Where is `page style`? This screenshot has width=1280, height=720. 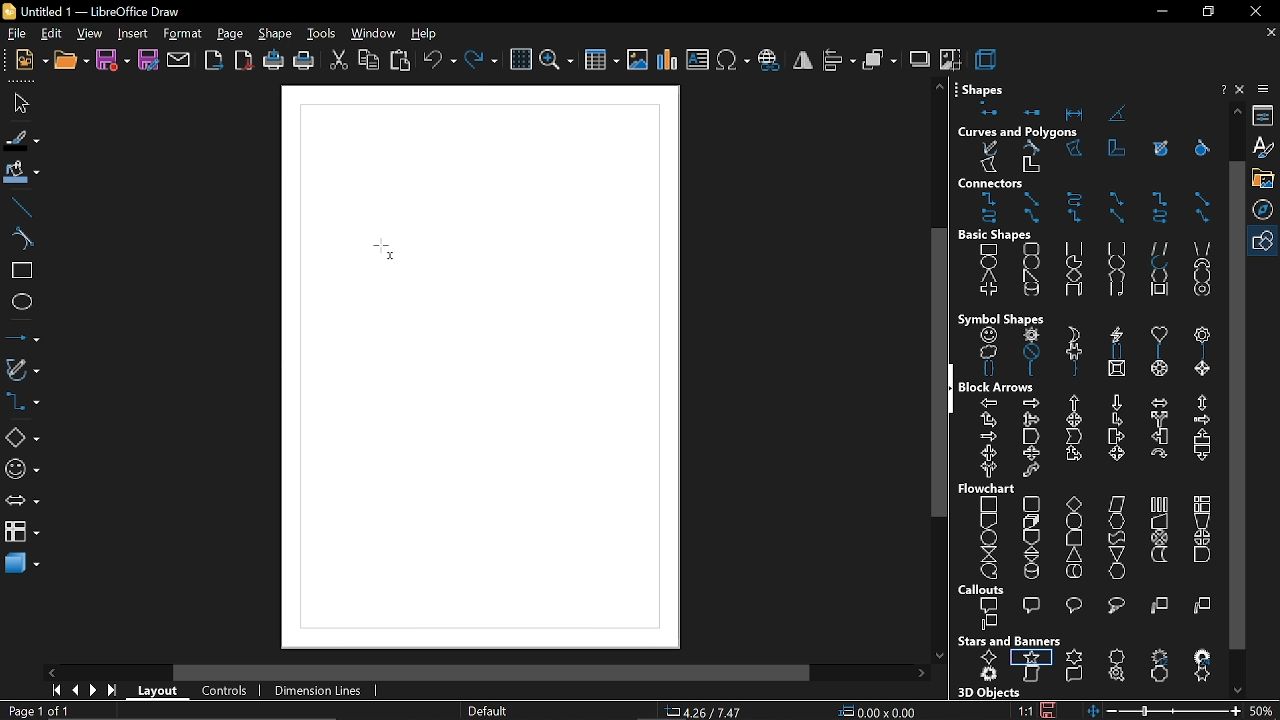 page style is located at coordinates (487, 712).